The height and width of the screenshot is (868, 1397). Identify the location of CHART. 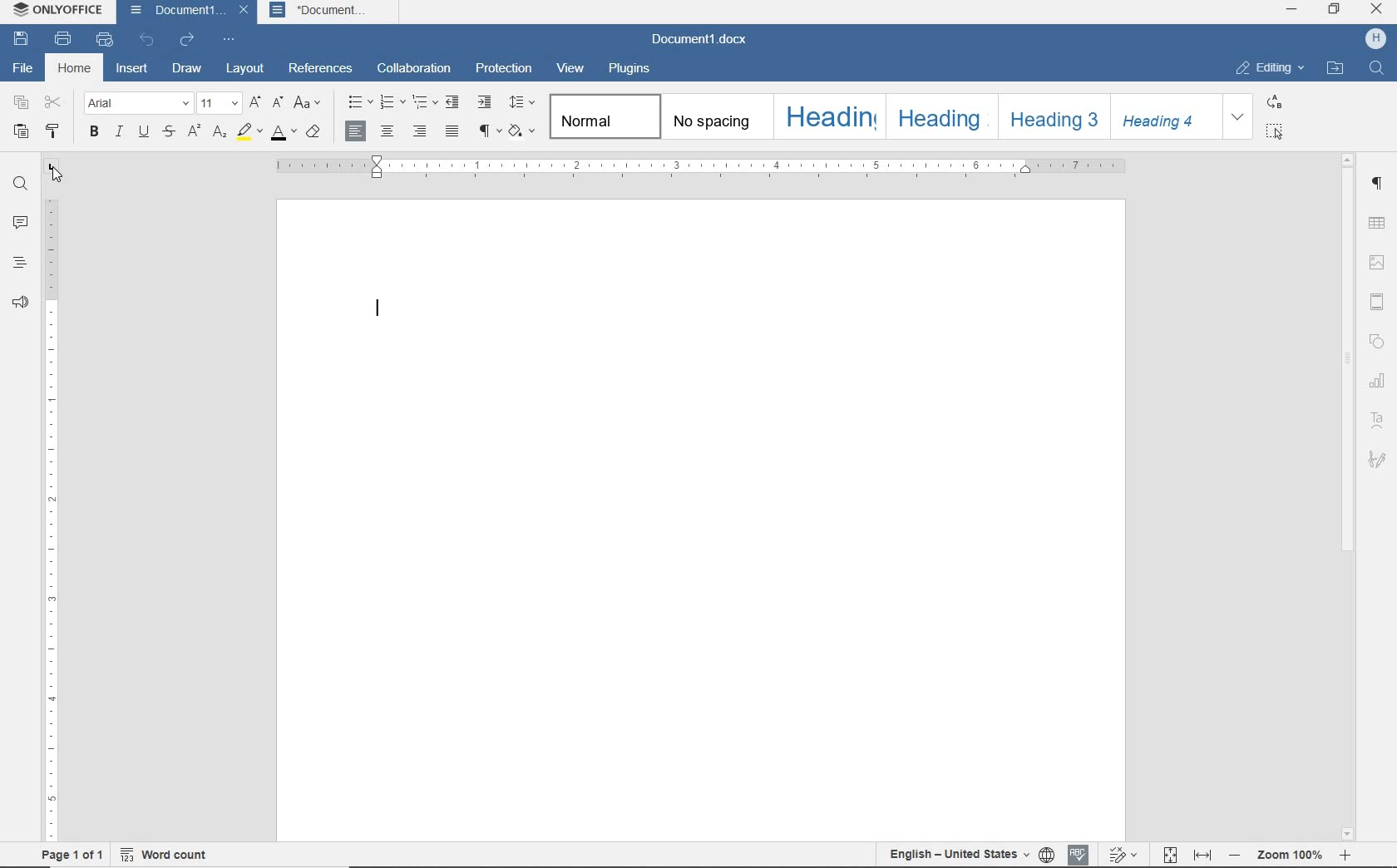
(1380, 384).